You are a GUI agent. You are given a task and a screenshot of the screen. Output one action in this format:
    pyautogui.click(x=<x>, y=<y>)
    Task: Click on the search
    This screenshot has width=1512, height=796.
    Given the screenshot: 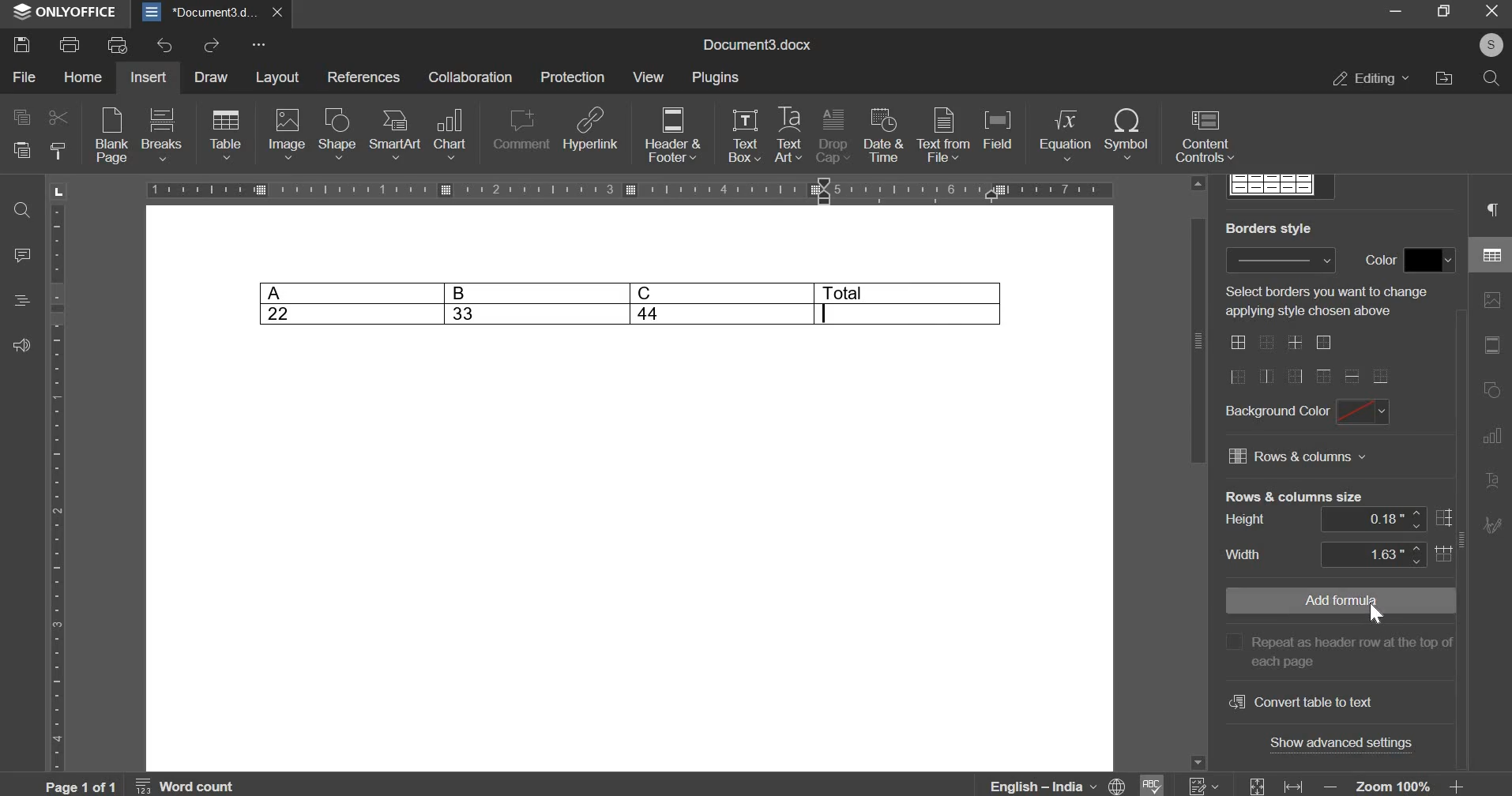 What is the action you would take?
    pyautogui.click(x=1493, y=80)
    